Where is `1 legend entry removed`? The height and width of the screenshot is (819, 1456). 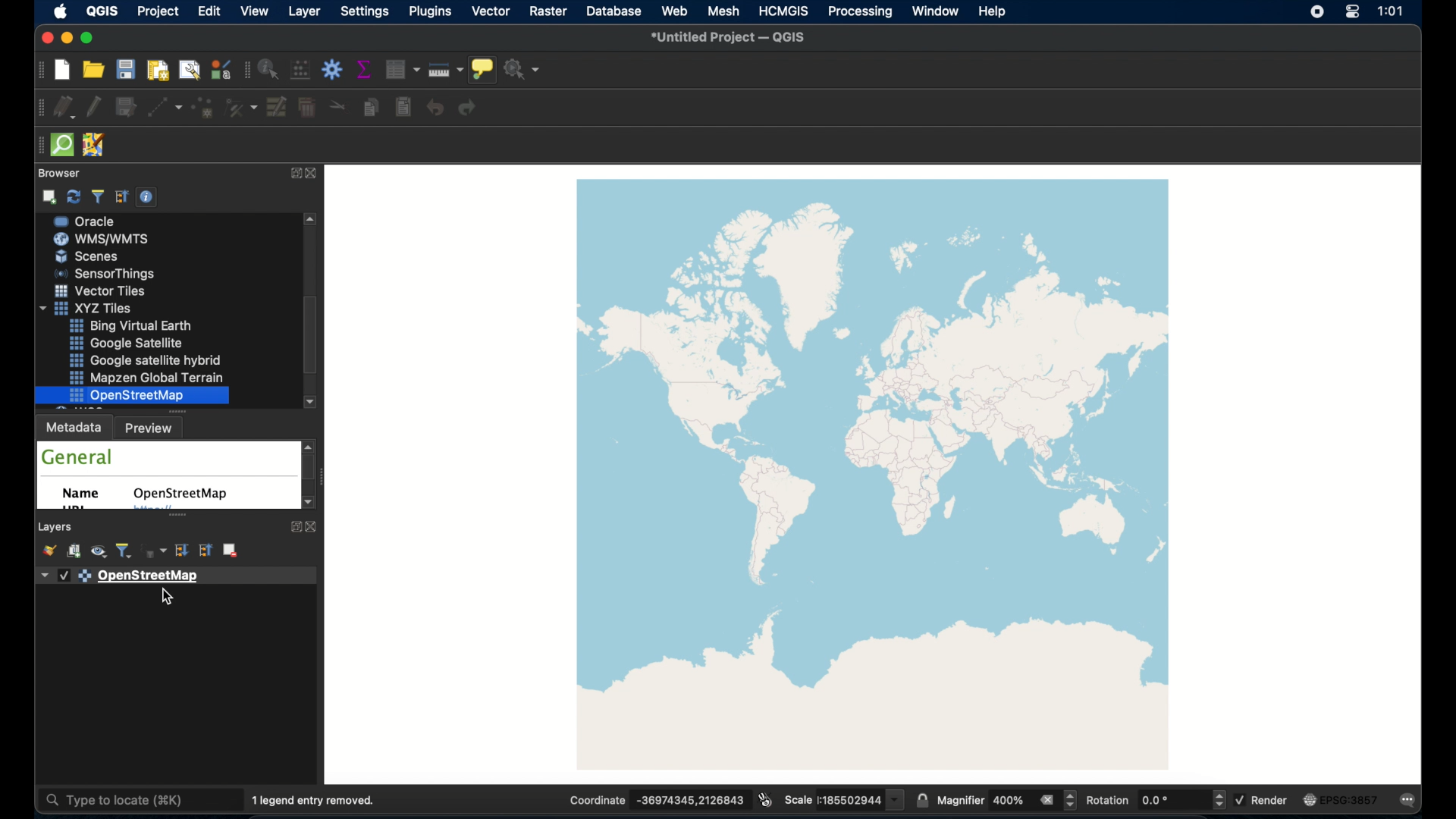 1 legend entry removed is located at coordinates (314, 801).